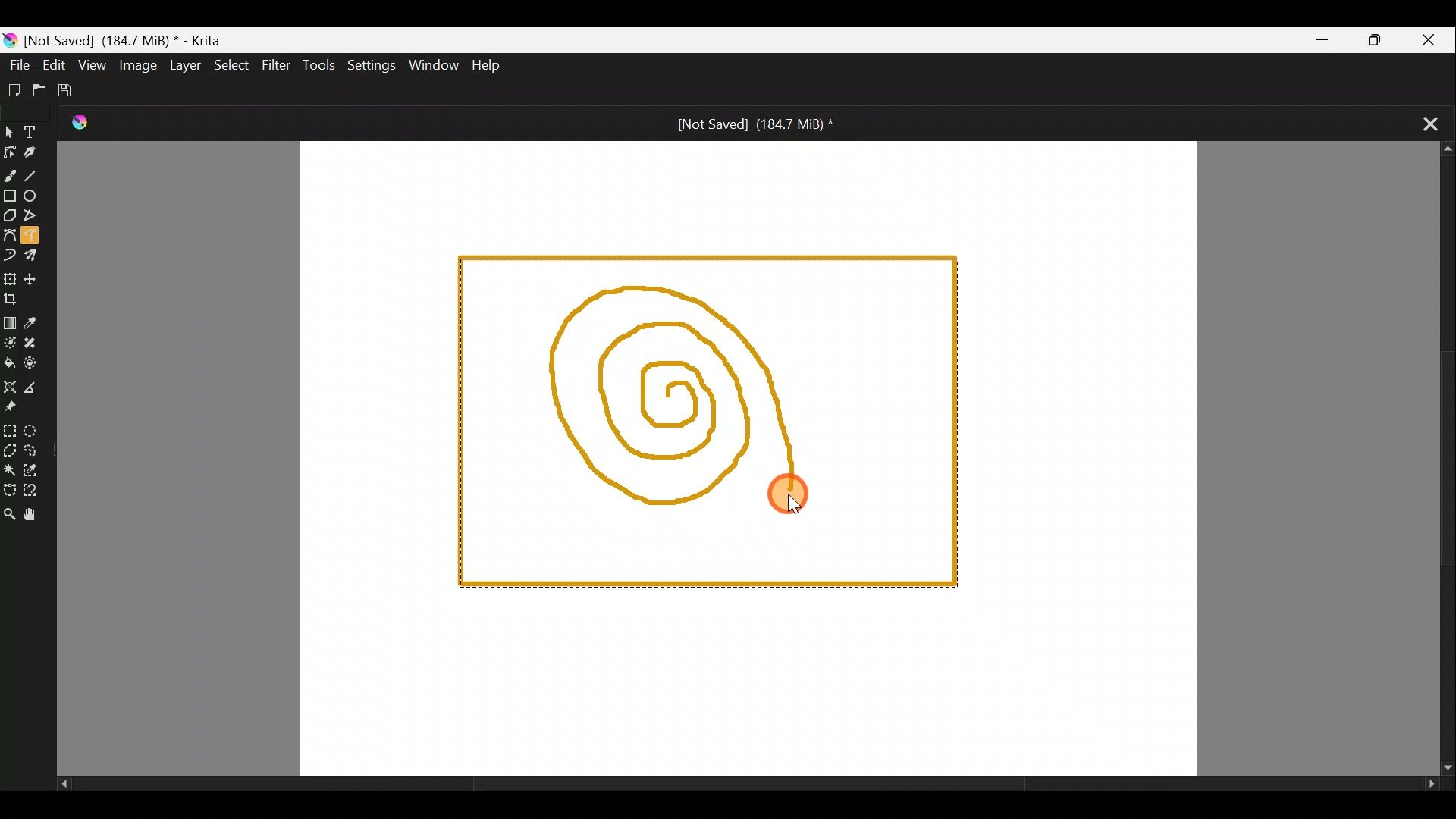 Image resolution: width=1456 pixels, height=819 pixels. What do you see at coordinates (40, 470) in the screenshot?
I see `Similar colour selection tool` at bounding box center [40, 470].